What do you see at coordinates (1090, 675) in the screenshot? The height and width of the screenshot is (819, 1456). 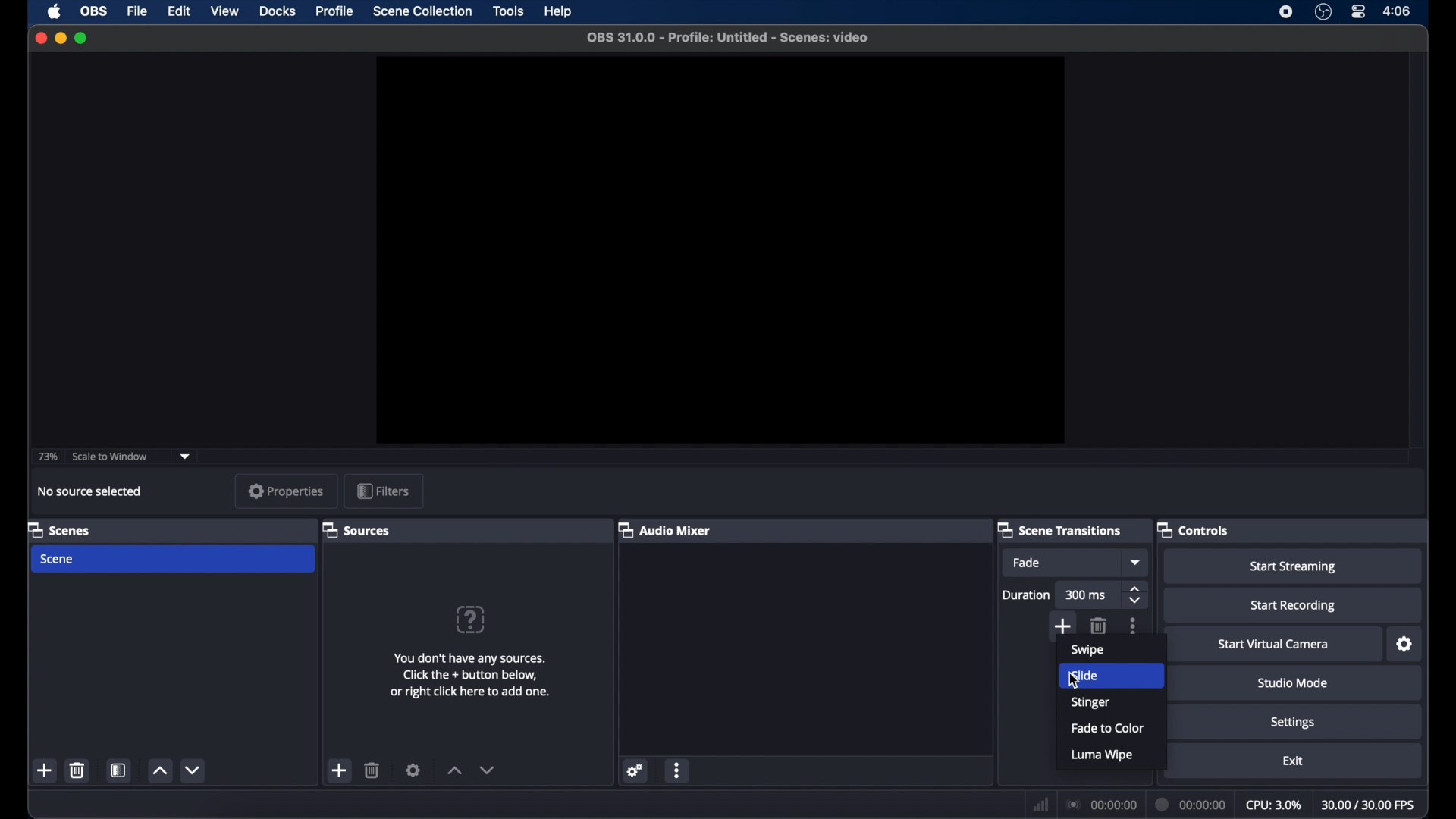 I see `slide` at bounding box center [1090, 675].